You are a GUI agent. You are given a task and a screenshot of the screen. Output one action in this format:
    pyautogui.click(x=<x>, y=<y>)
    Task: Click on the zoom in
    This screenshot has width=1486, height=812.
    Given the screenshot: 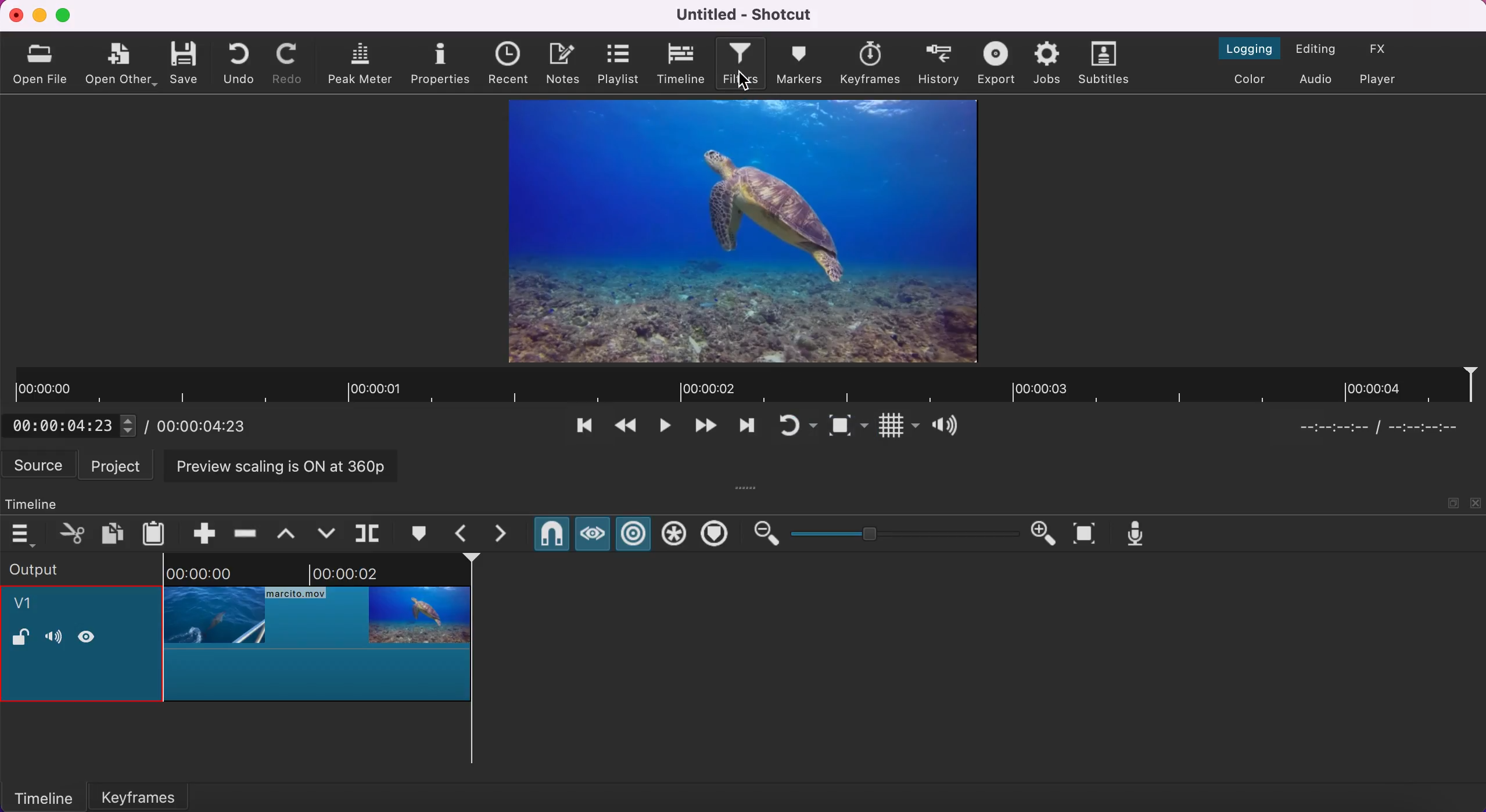 What is the action you would take?
    pyautogui.click(x=1042, y=533)
    